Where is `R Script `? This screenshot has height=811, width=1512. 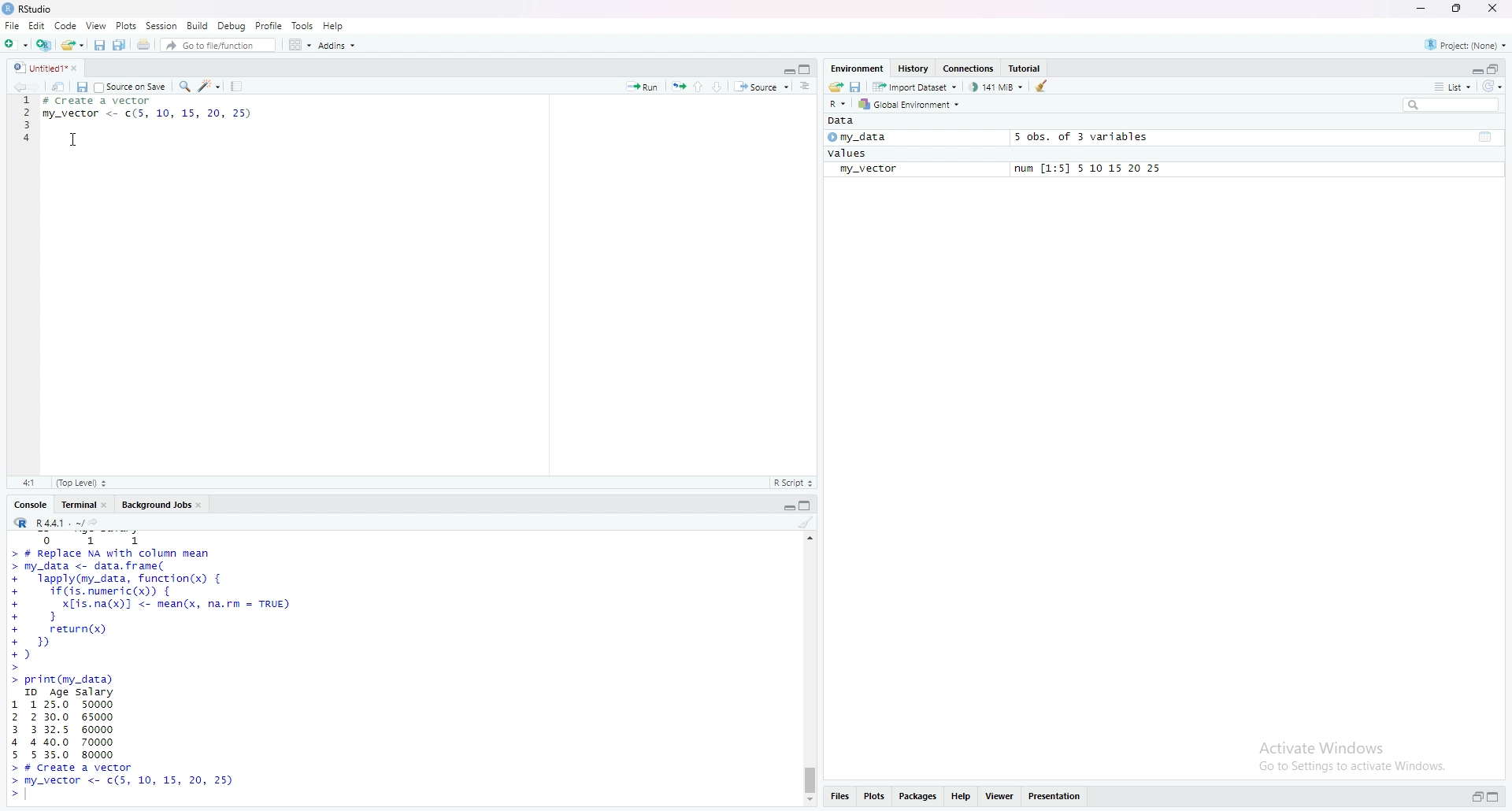 R Script  is located at coordinates (795, 483).